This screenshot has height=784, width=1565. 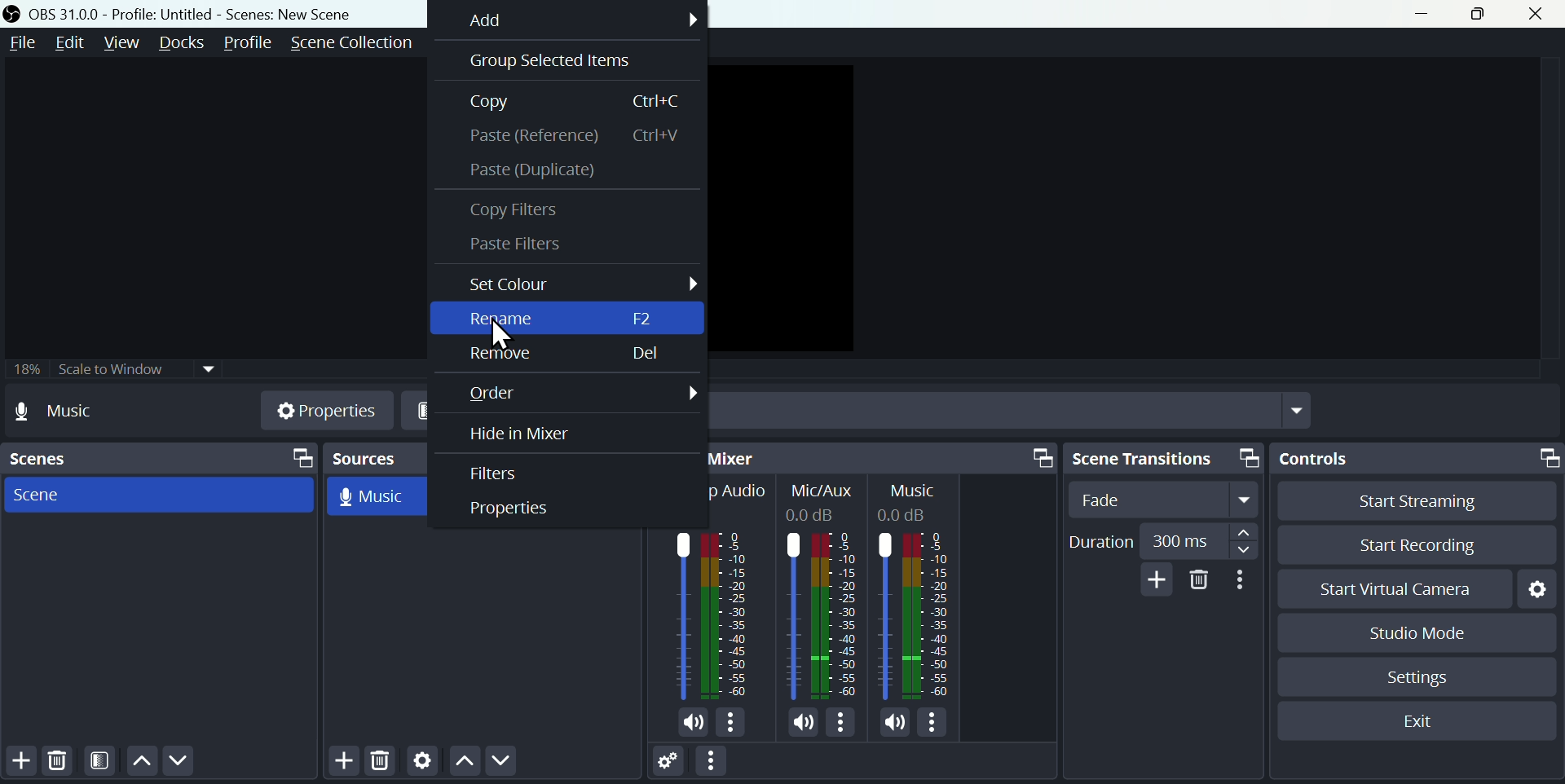 I want to click on Felters, so click(x=103, y=760).